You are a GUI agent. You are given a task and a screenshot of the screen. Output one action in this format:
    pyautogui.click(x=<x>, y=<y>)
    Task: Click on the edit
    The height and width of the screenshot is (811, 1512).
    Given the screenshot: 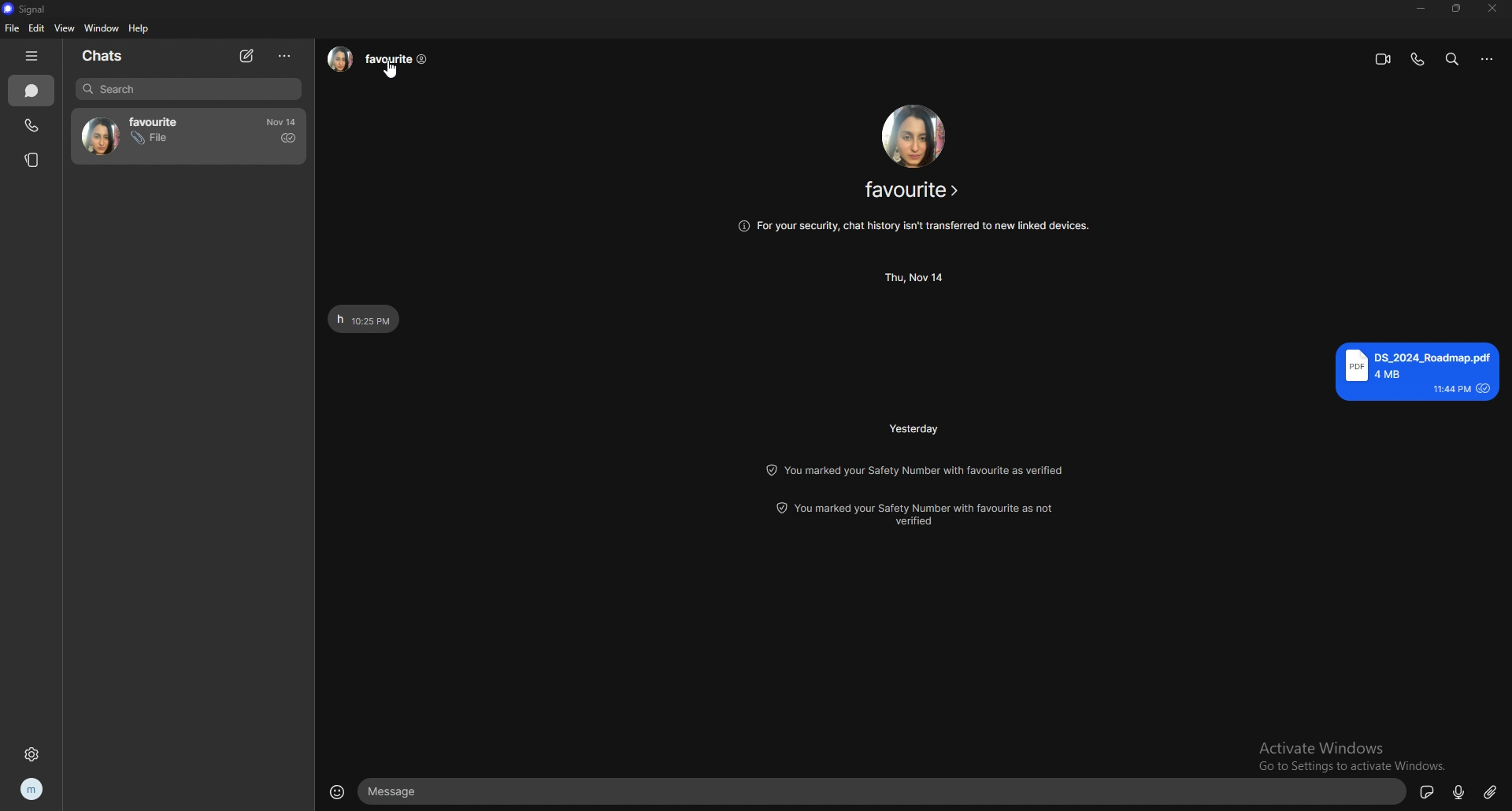 What is the action you would take?
    pyautogui.click(x=37, y=28)
    